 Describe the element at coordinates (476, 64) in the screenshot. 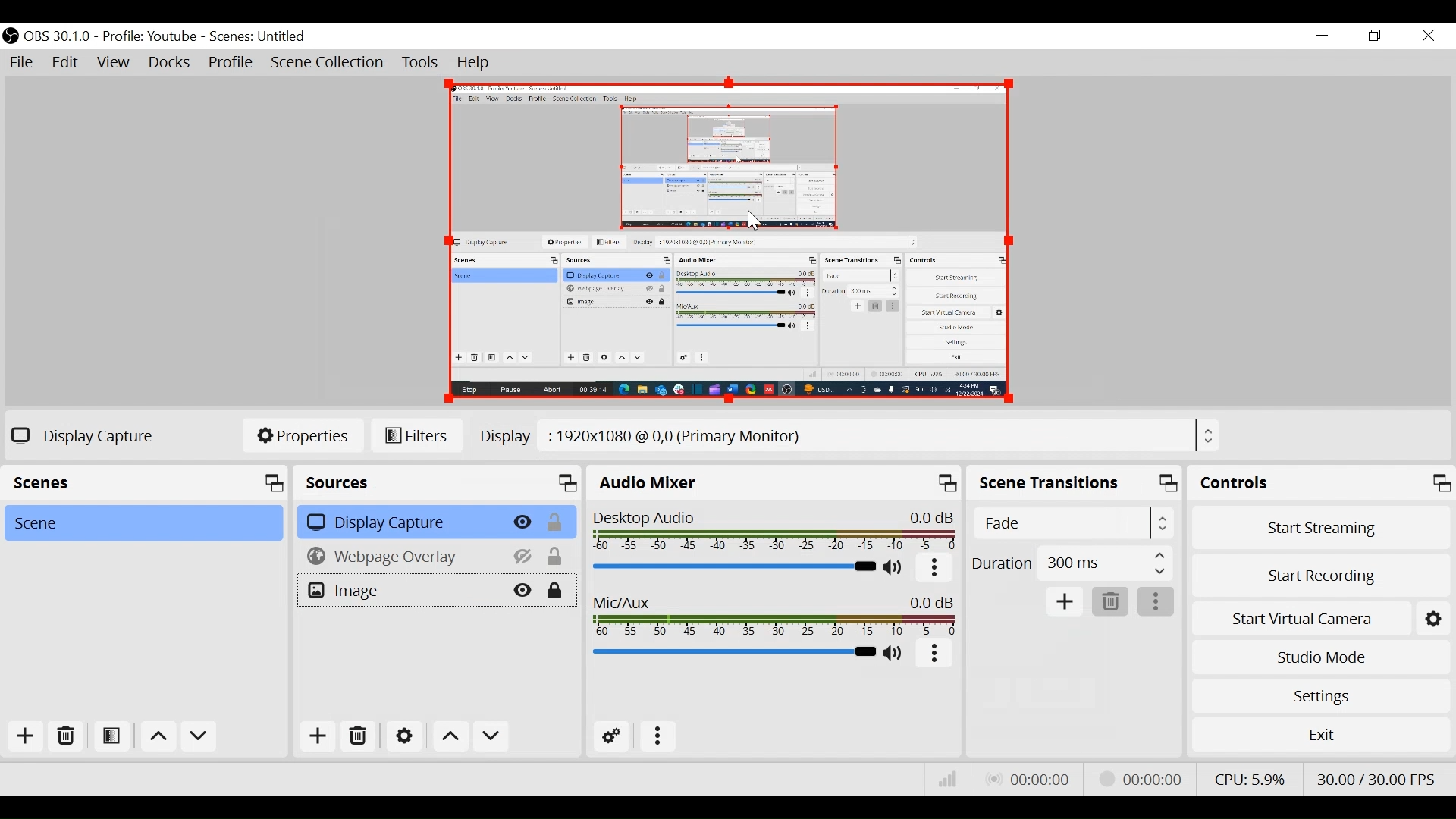

I see `Help` at that location.